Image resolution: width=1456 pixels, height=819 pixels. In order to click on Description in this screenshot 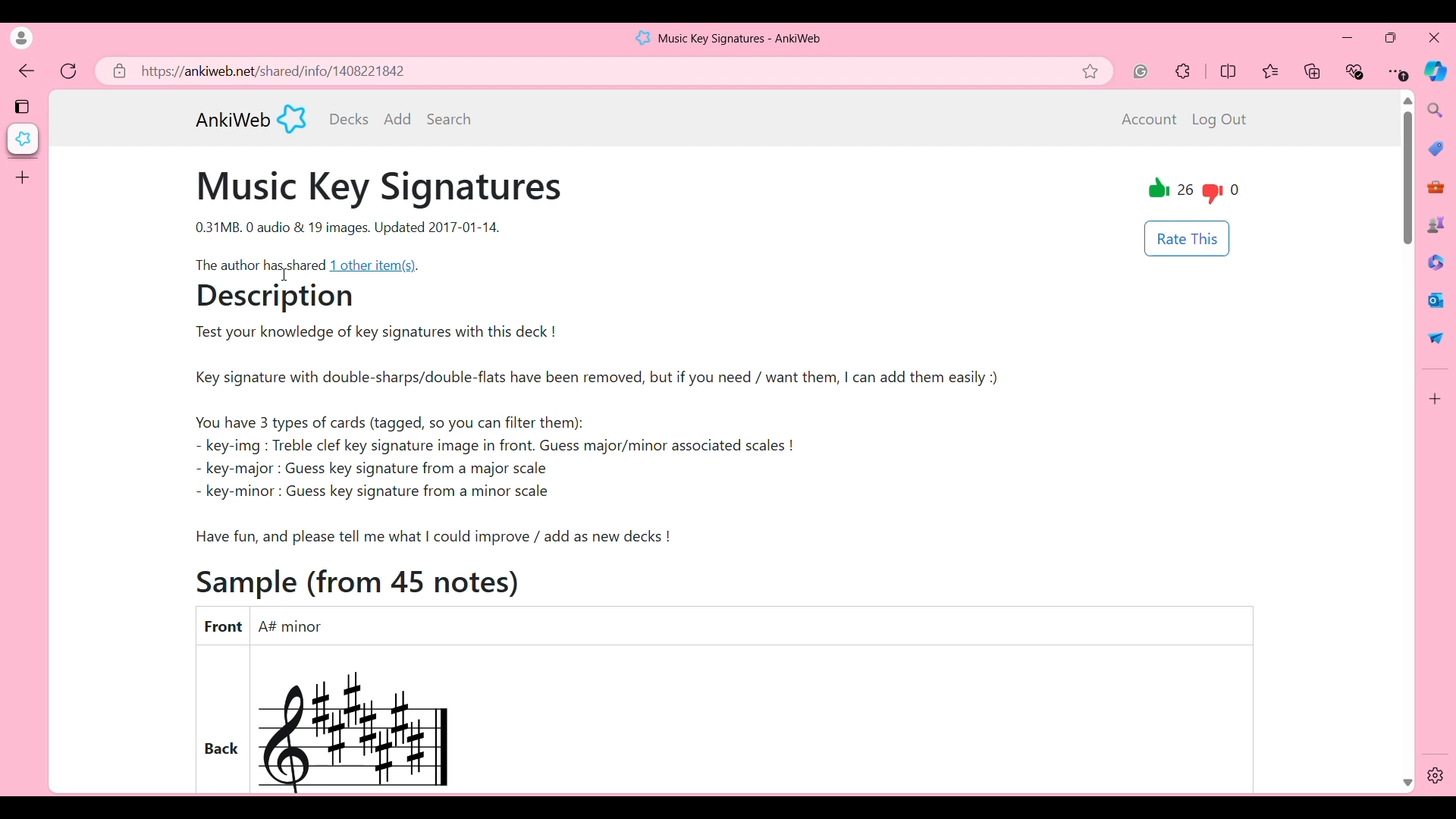, I will do `click(296, 300)`.